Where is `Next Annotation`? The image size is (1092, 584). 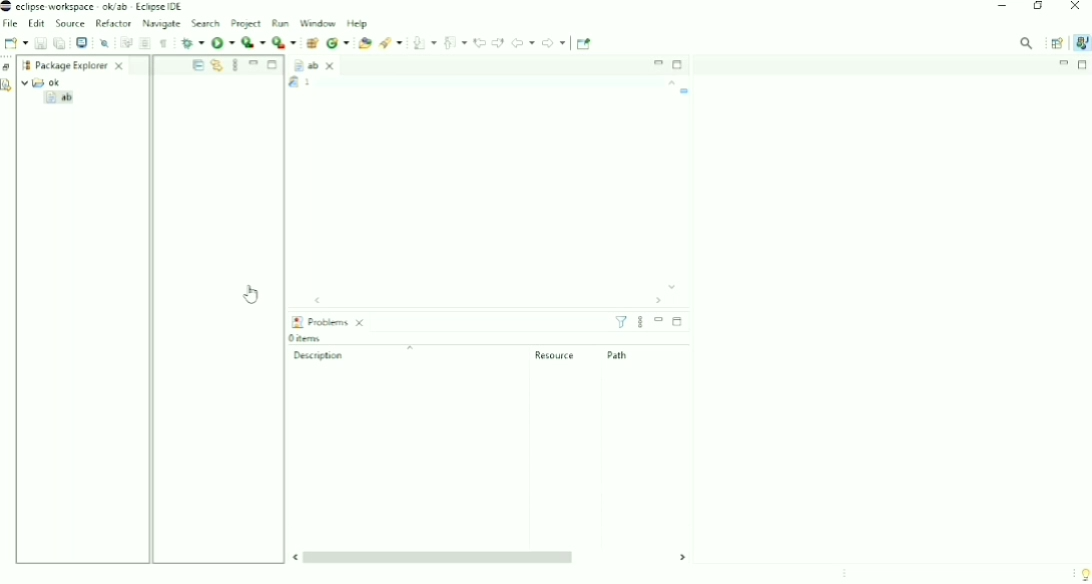
Next Annotation is located at coordinates (424, 43).